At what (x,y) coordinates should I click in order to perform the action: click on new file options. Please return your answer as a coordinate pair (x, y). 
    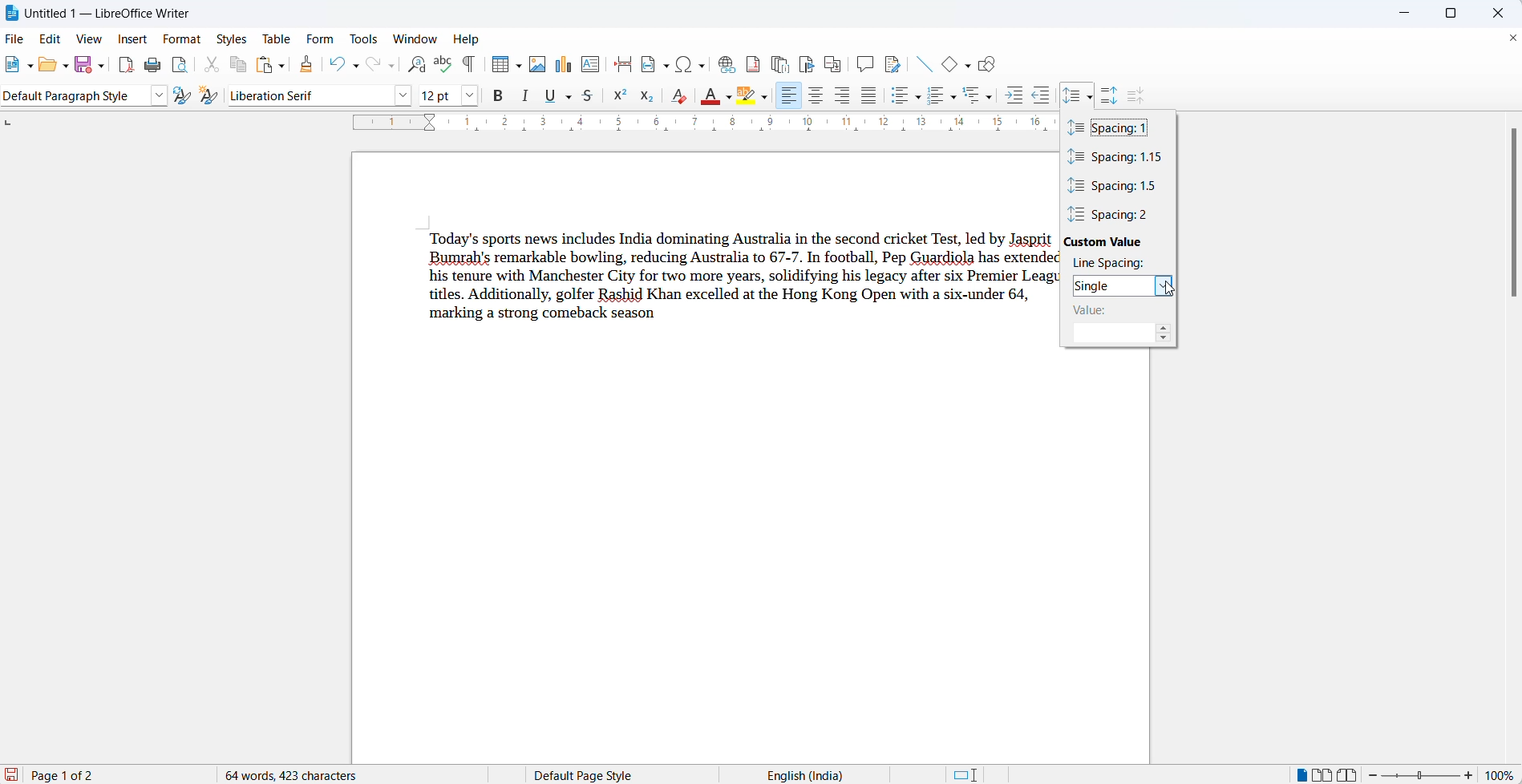
    Looking at the image, I should click on (31, 67).